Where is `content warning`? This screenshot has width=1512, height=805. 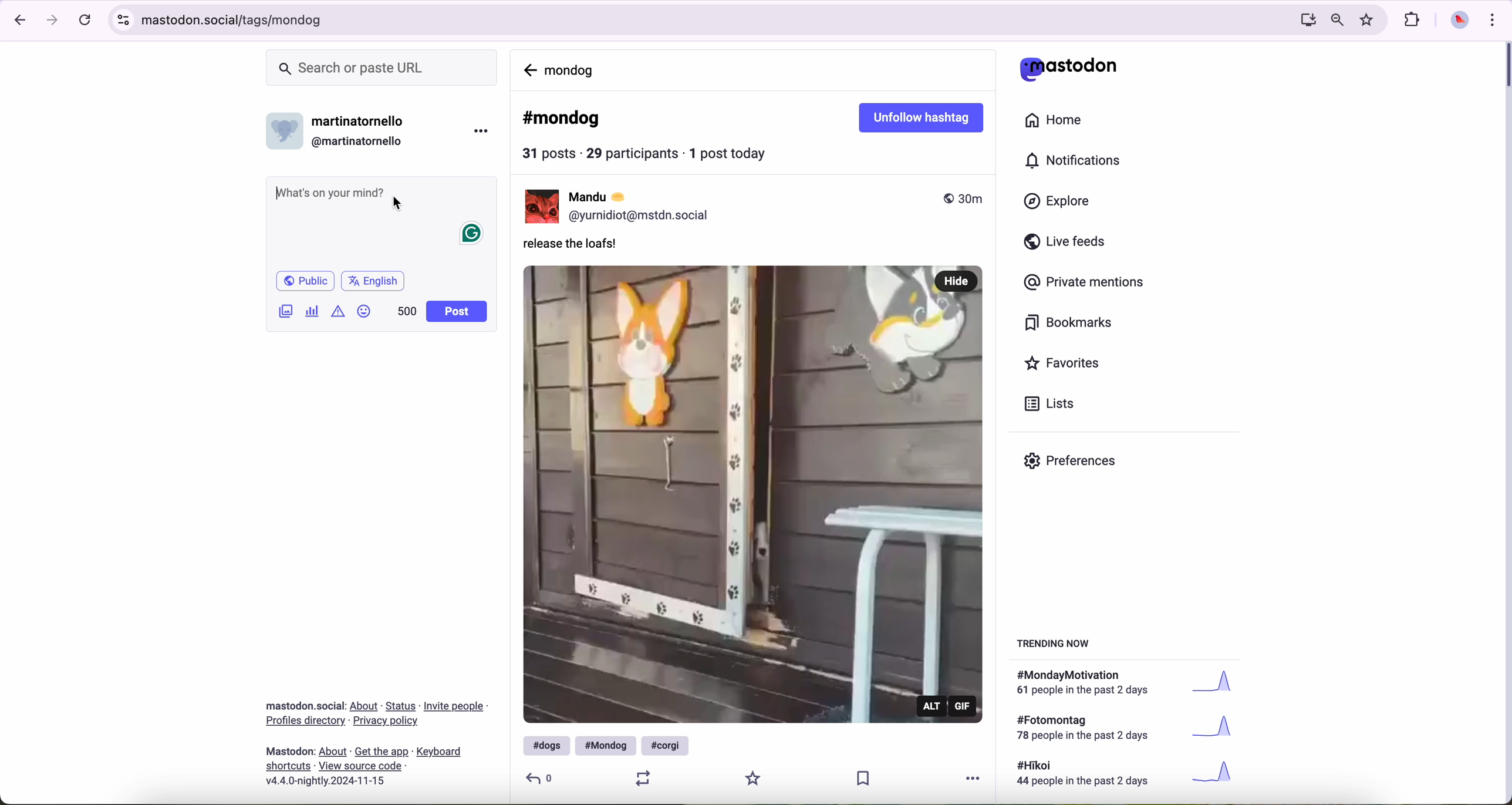 content warning is located at coordinates (336, 314).